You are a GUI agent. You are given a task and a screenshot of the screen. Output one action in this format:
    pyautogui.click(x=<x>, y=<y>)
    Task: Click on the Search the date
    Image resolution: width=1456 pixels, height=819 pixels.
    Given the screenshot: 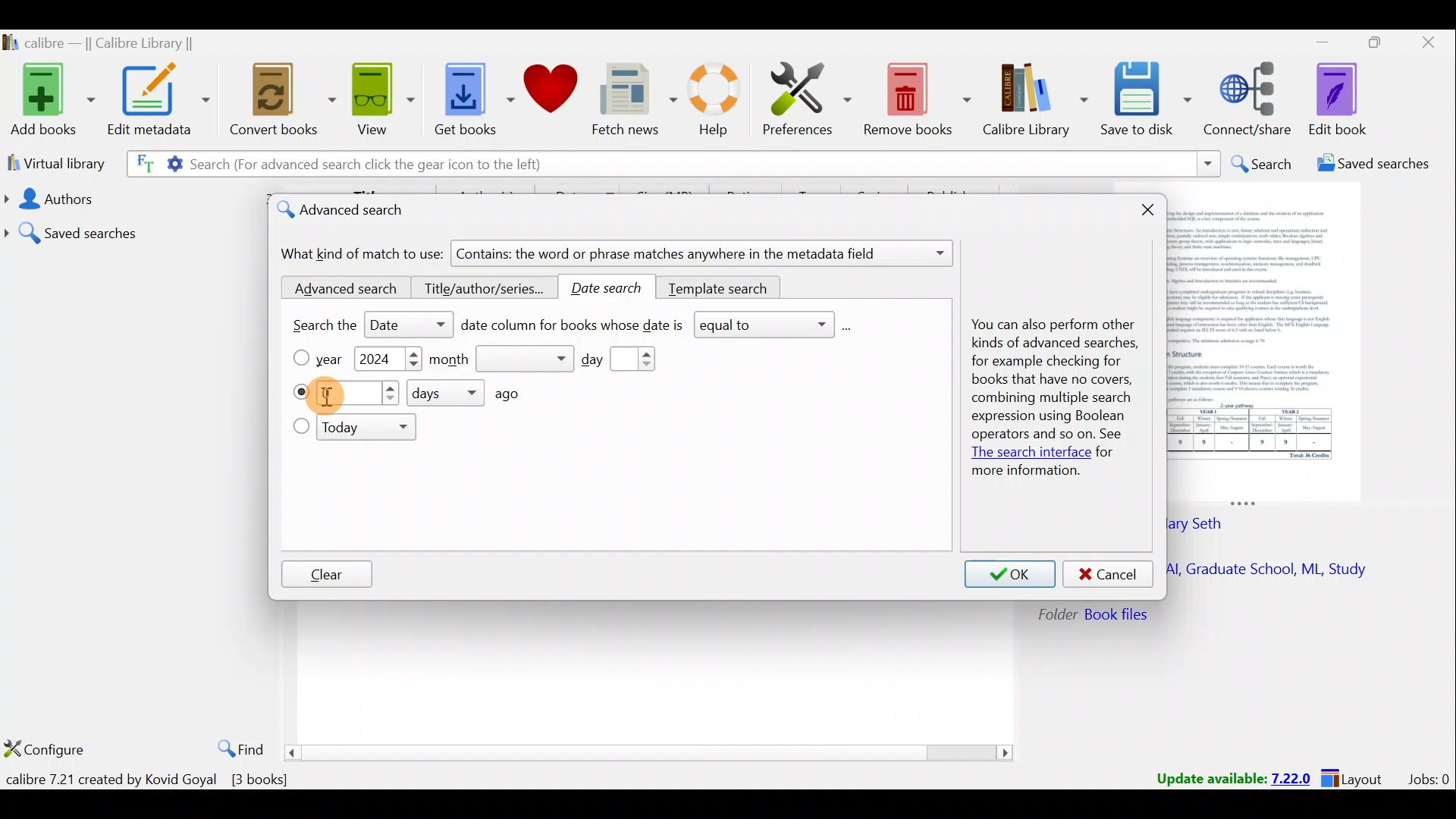 What is the action you would take?
    pyautogui.click(x=359, y=327)
    